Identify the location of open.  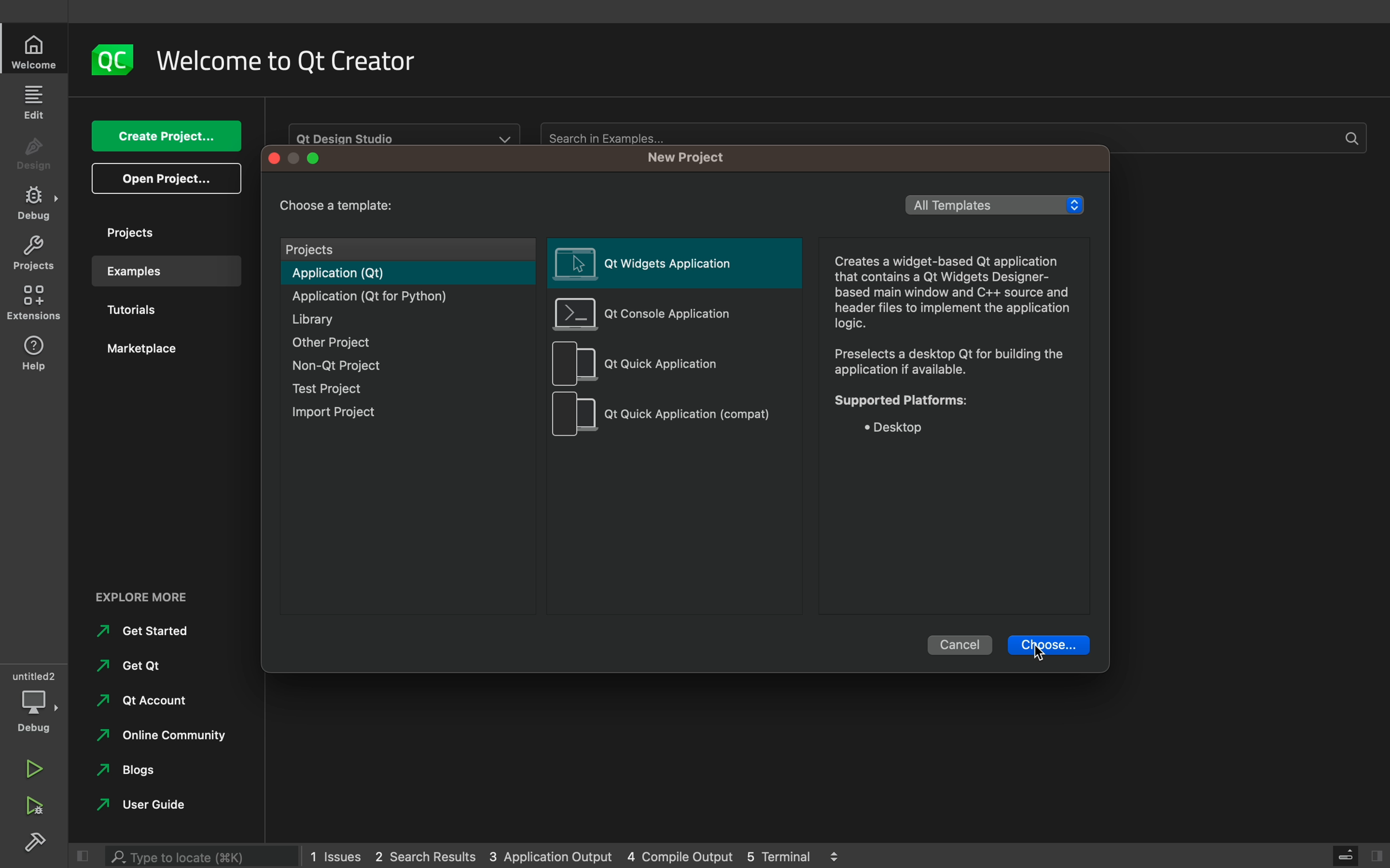
(167, 179).